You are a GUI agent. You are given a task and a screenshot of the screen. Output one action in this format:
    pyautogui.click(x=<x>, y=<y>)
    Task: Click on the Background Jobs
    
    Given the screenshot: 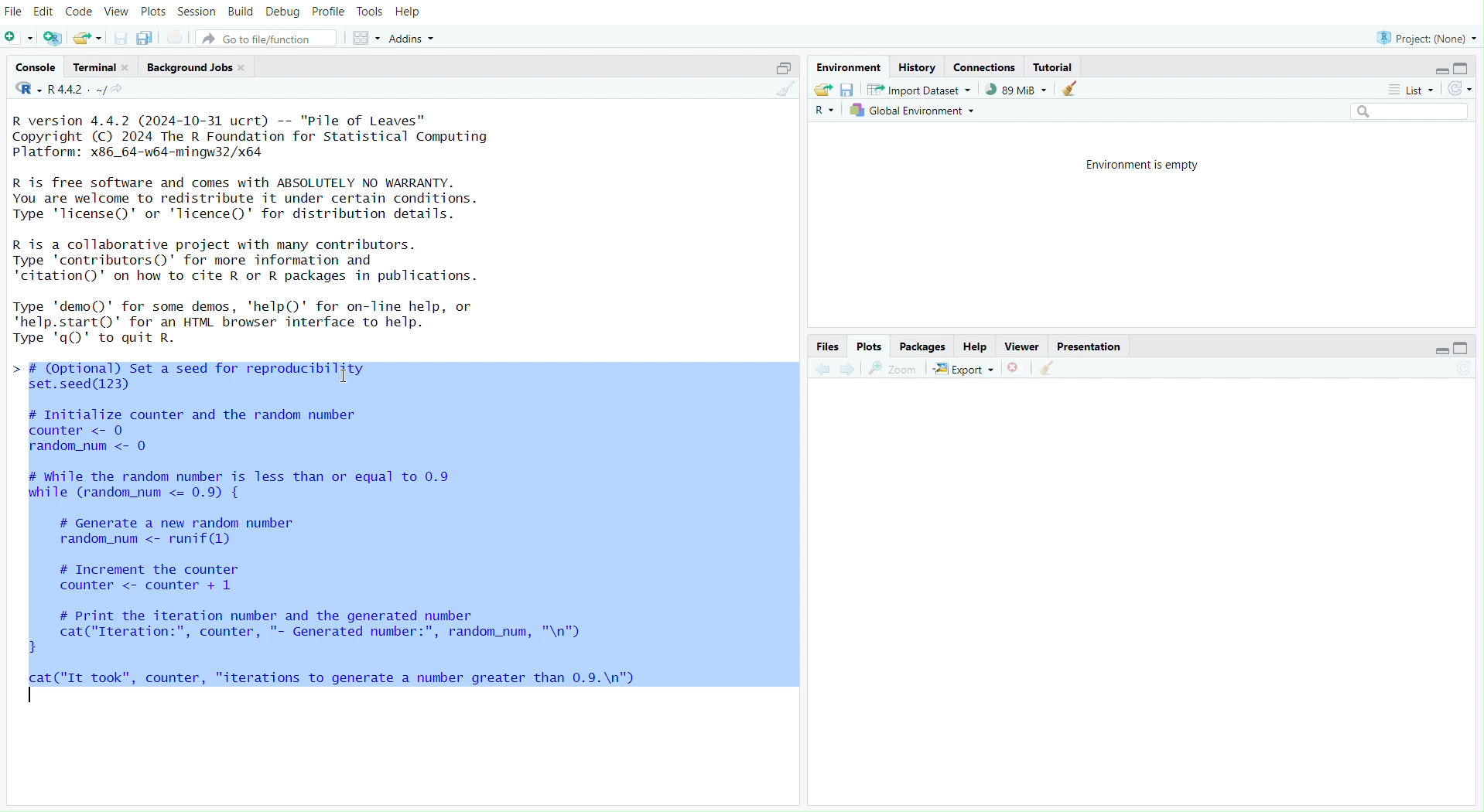 What is the action you would take?
    pyautogui.click(x=194, y=67)
    